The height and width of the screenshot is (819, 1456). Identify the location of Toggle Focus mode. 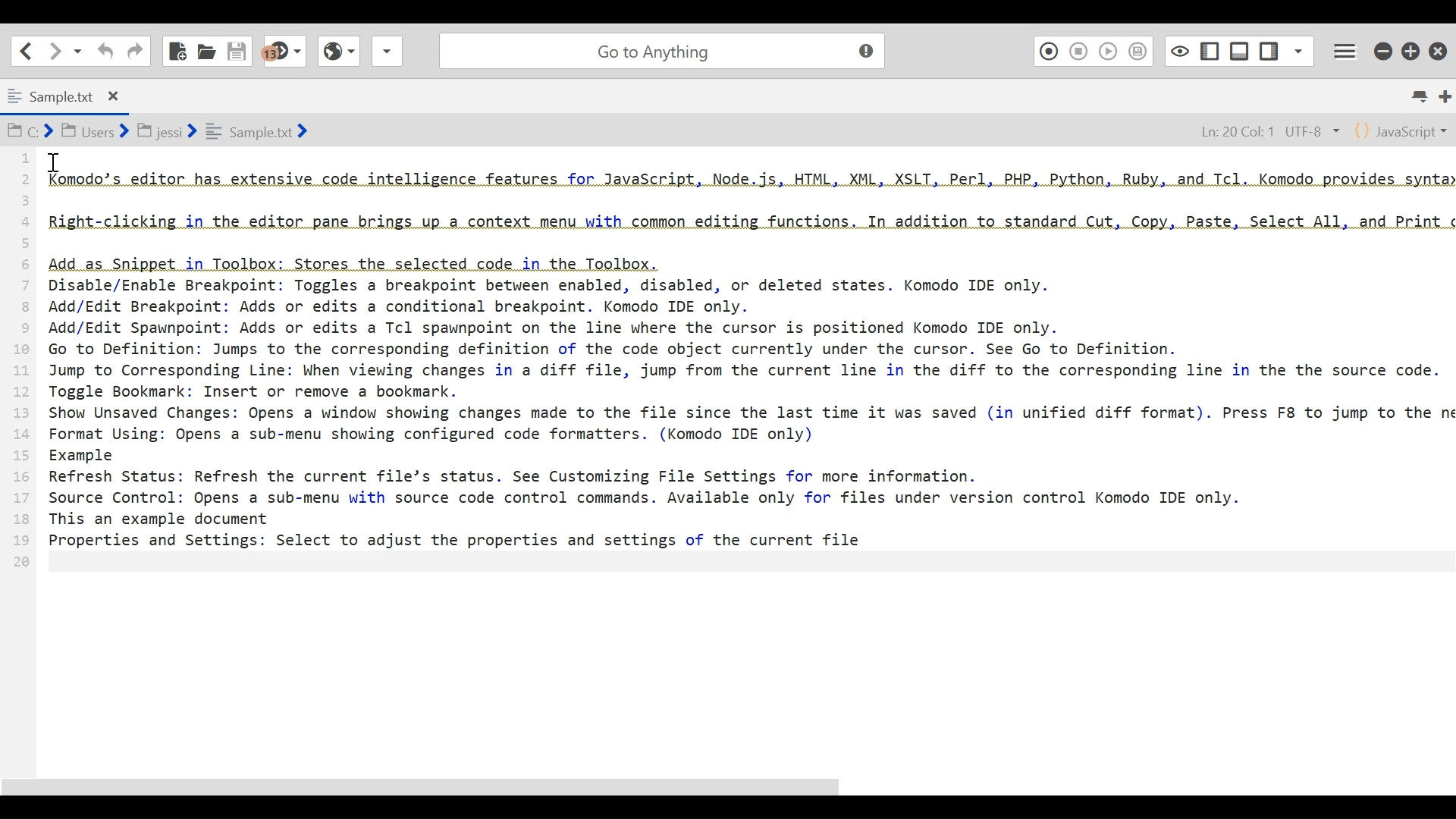
(1178, 50).